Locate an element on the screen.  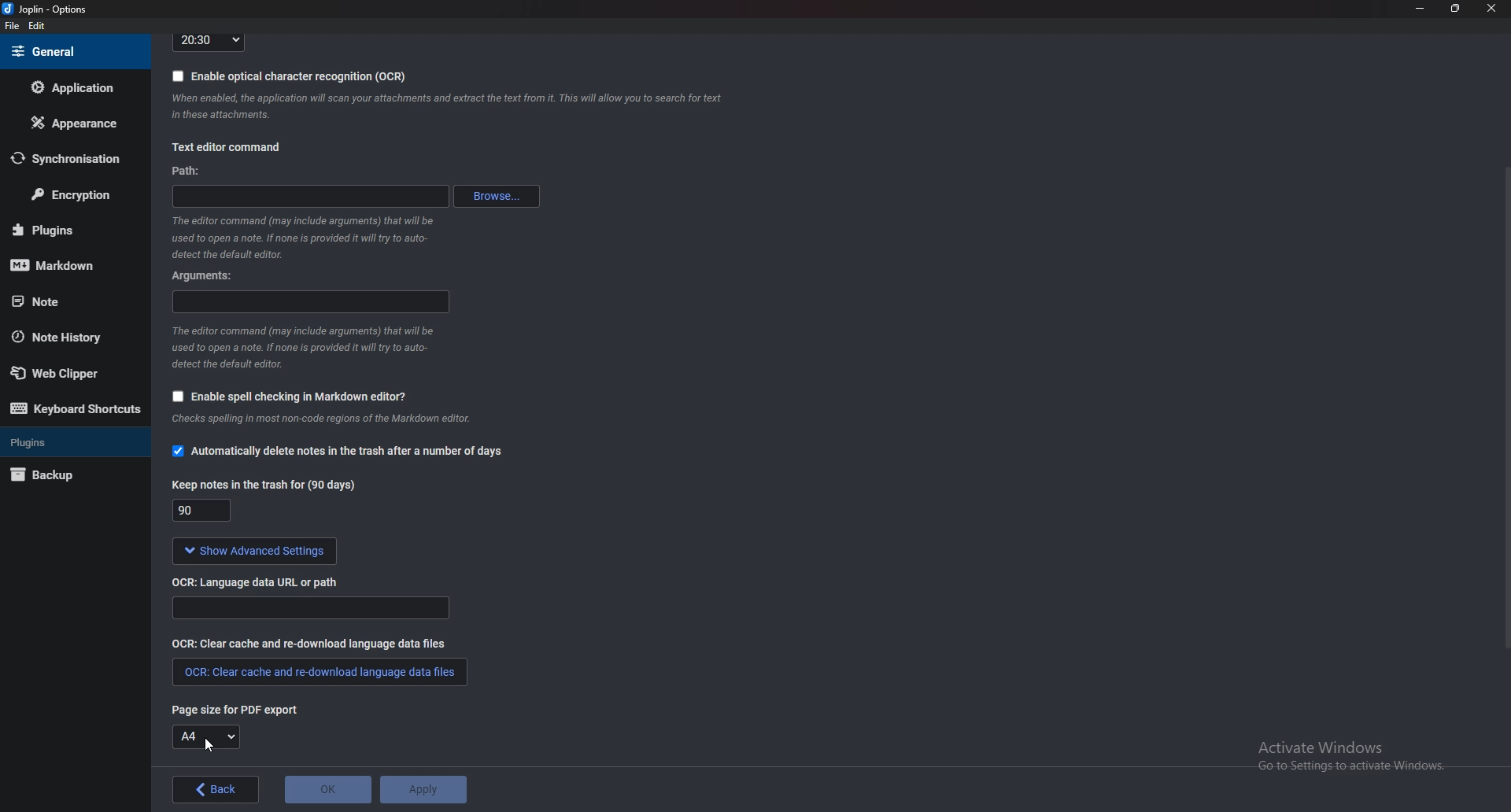
O C R clear cache and redownload language data is located at coordinates (318, 672).